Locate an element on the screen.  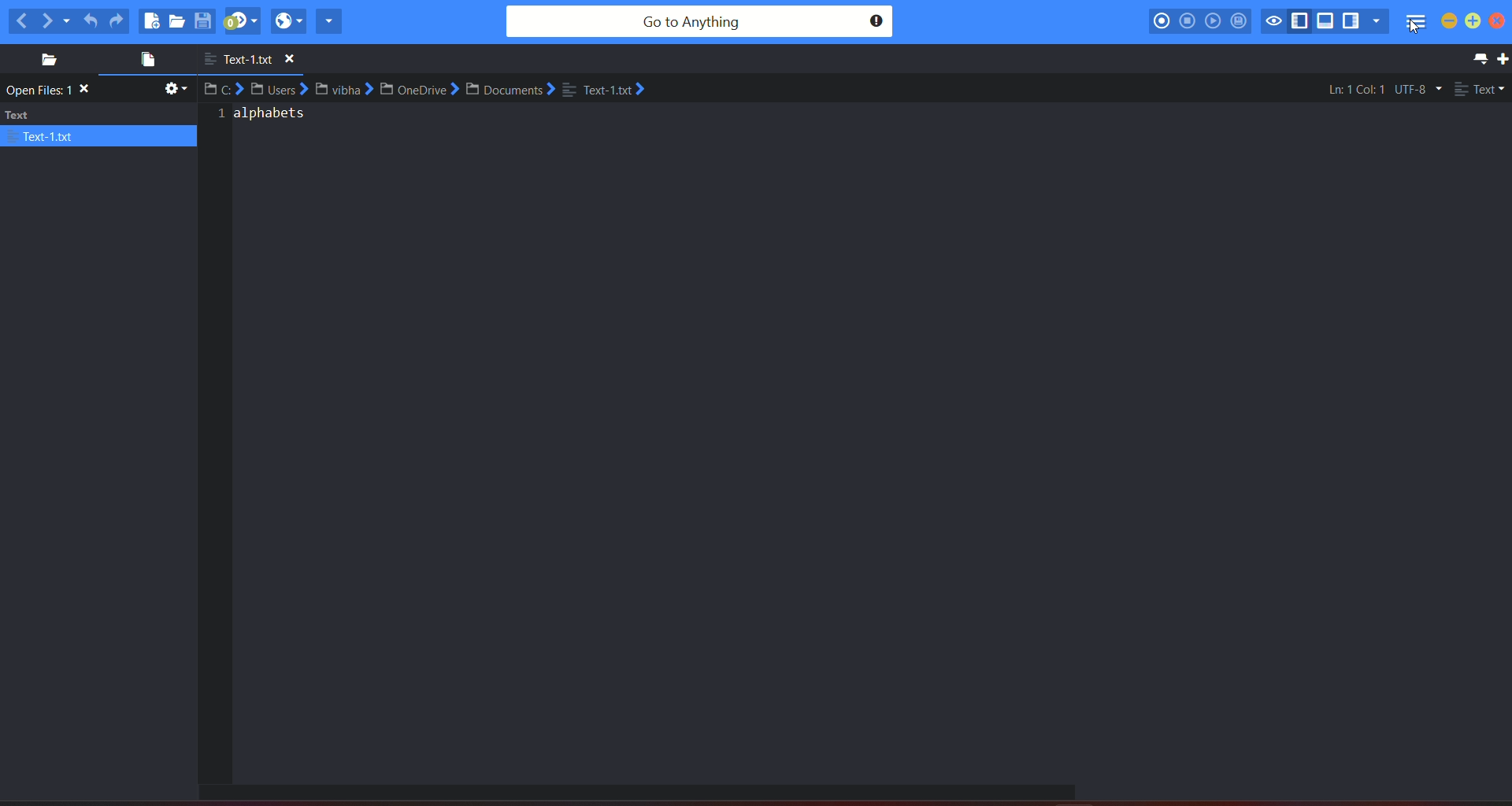
redo is located at coordinates (117, 20).